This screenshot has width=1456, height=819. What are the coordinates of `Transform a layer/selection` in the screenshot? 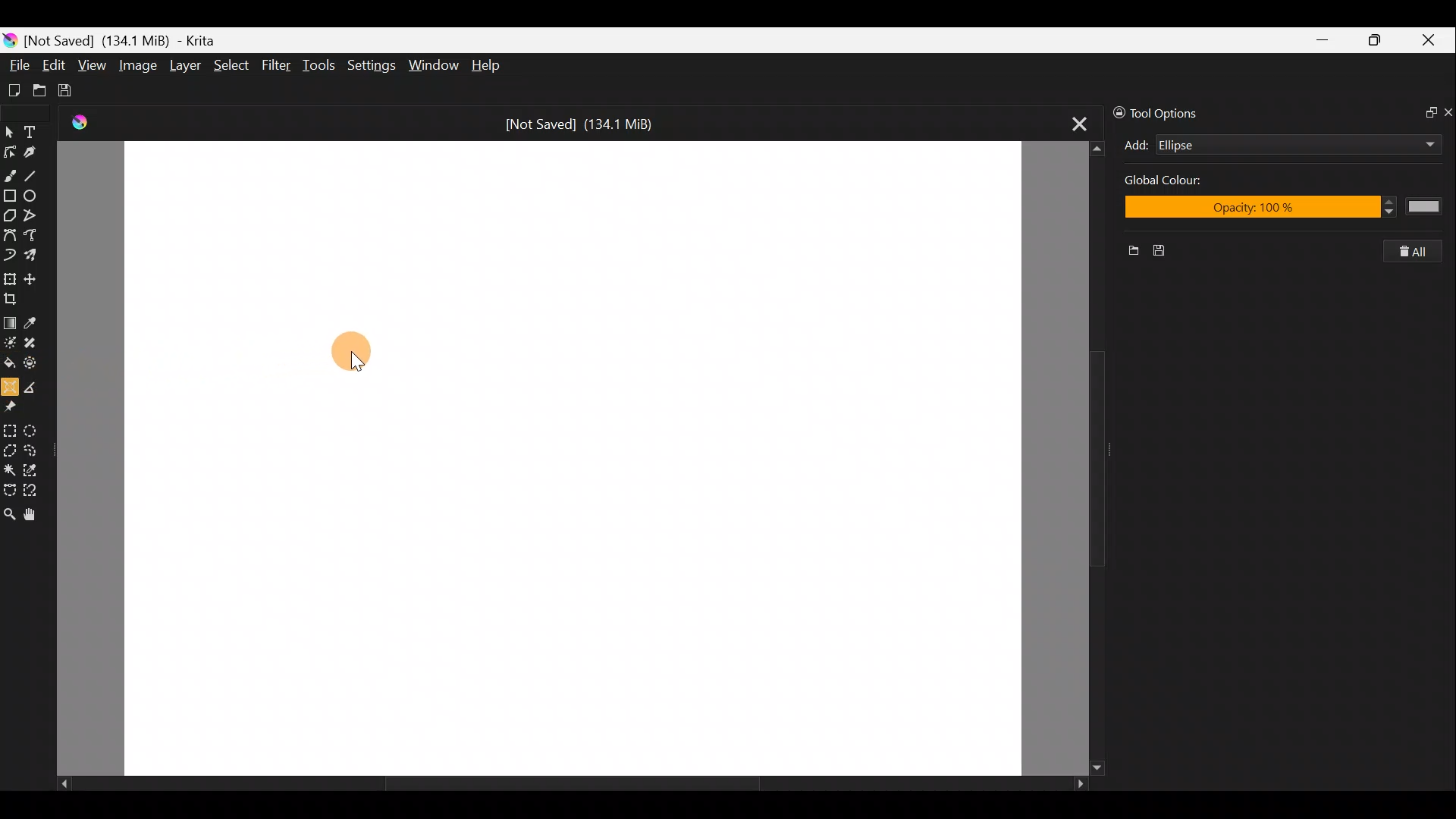 It's located at (11, 277).